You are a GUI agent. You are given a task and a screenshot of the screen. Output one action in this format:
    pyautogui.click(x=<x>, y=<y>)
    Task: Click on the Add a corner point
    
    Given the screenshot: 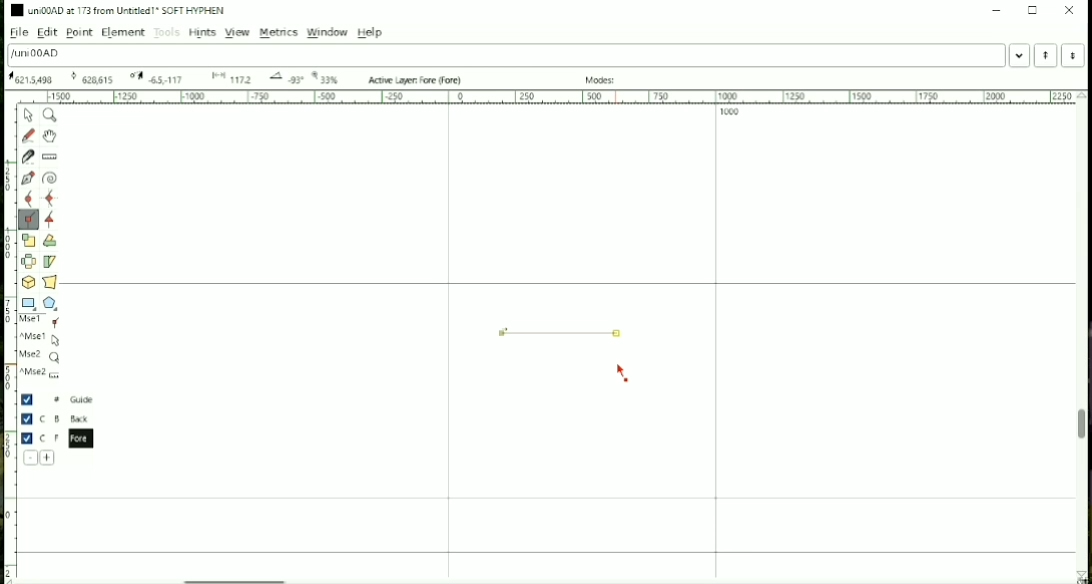 What is the action you would take?
    pyautogui.click(x=28, y=220)
    